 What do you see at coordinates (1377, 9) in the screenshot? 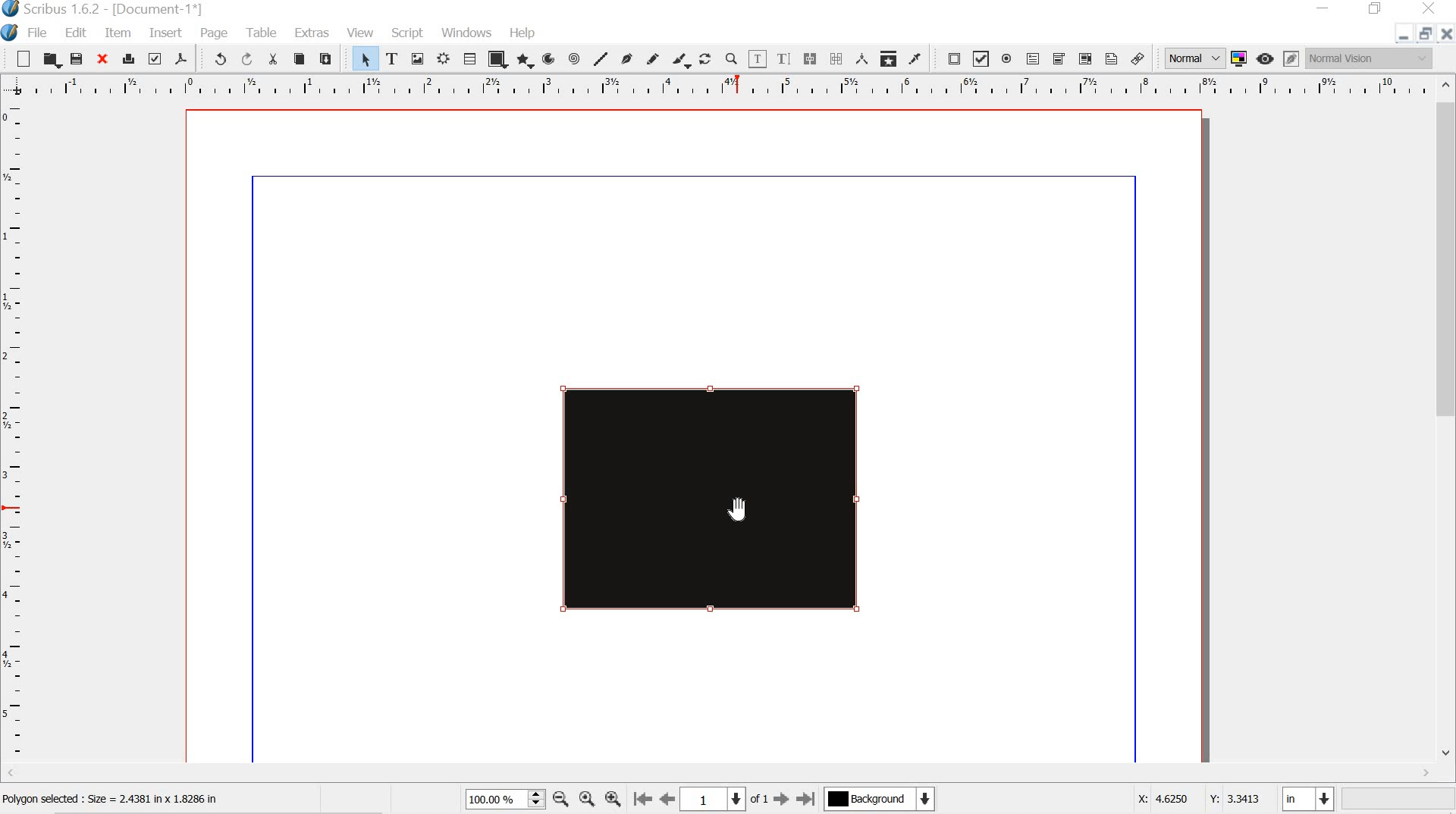
I see `restore down` at bounding box center [1377, 9].